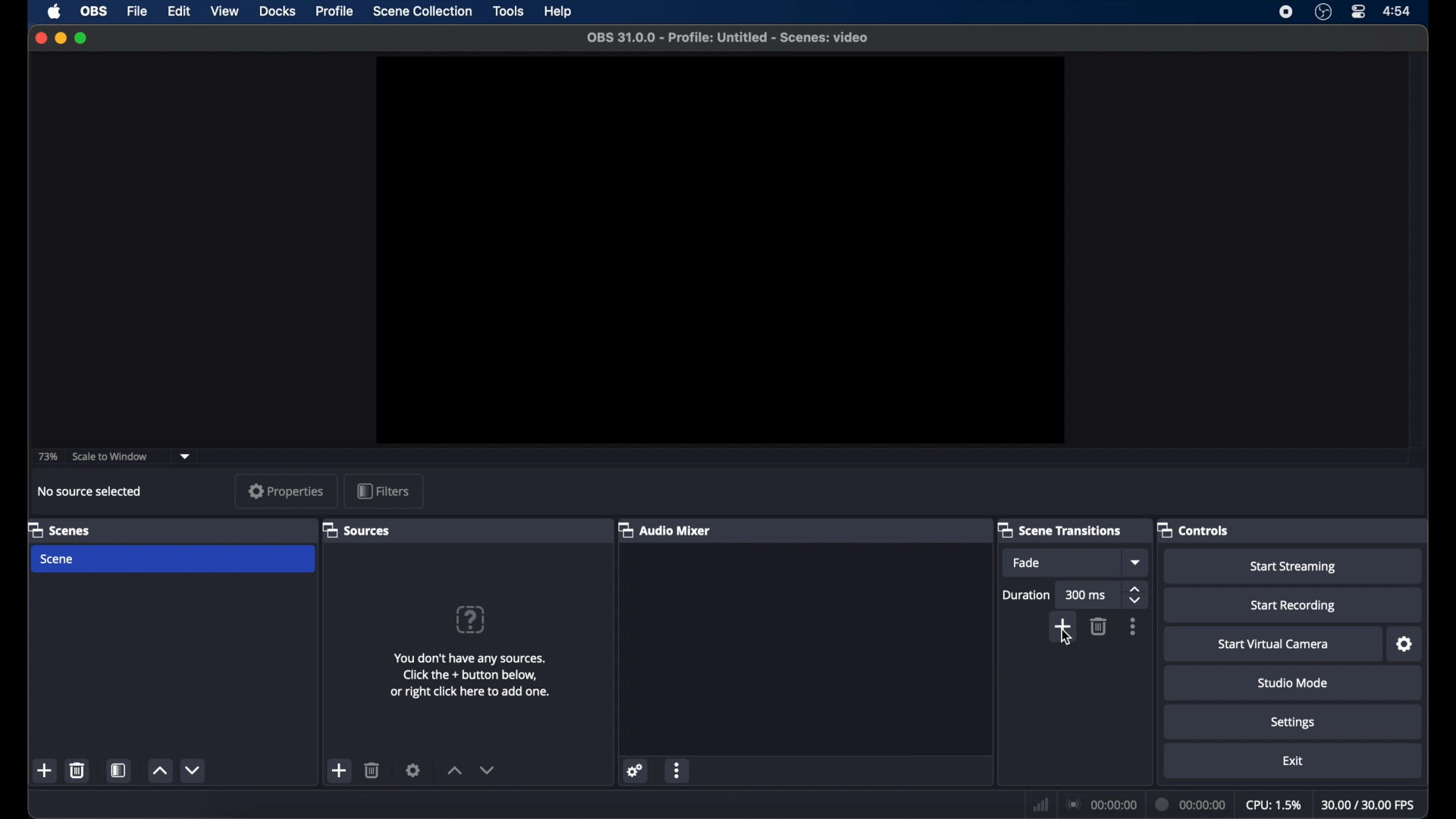  Describe the element at coordinates (413, 770) in the screenshot. I see `settings` at that location.